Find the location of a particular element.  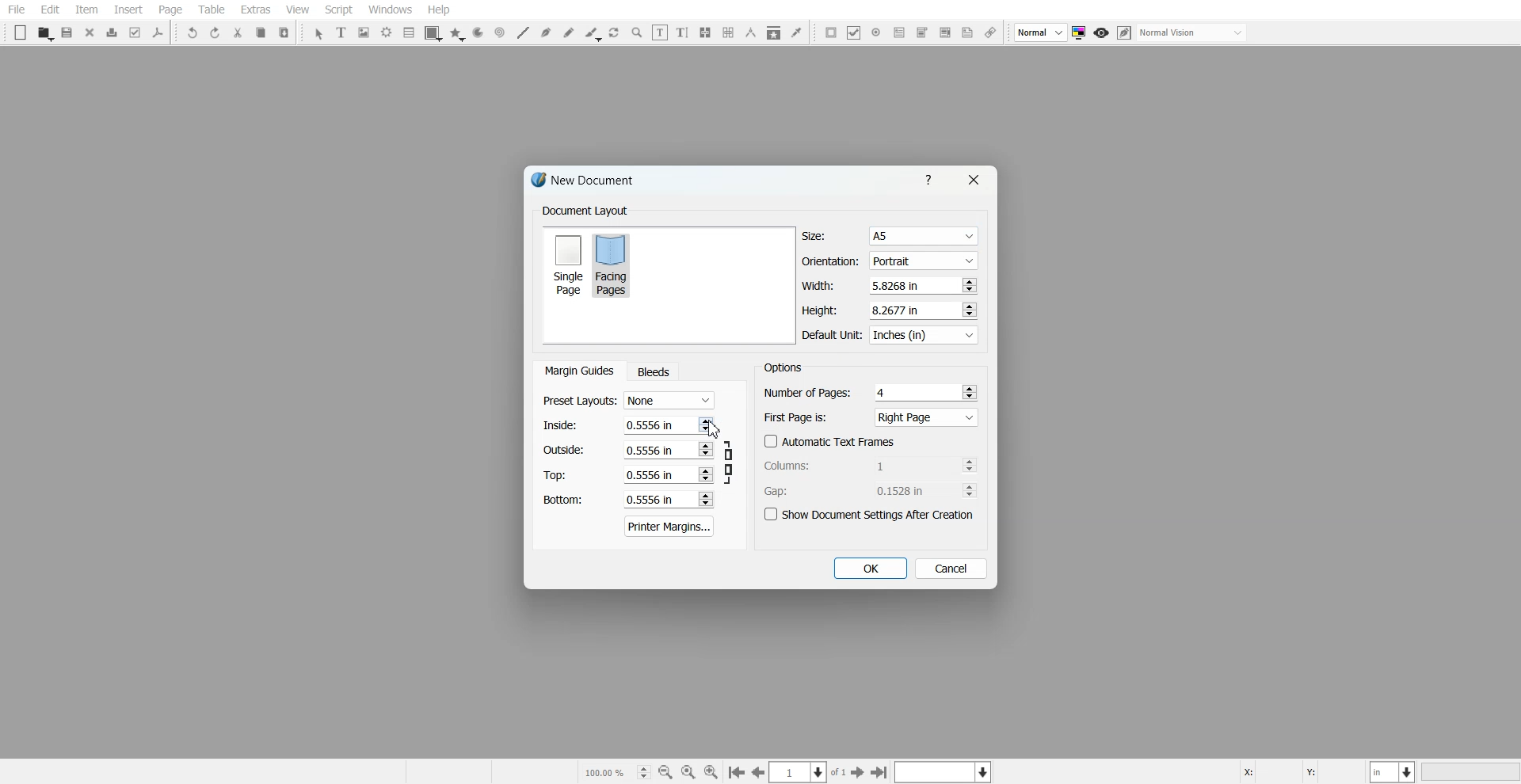

Measurement is located at coordinates (751, 32).